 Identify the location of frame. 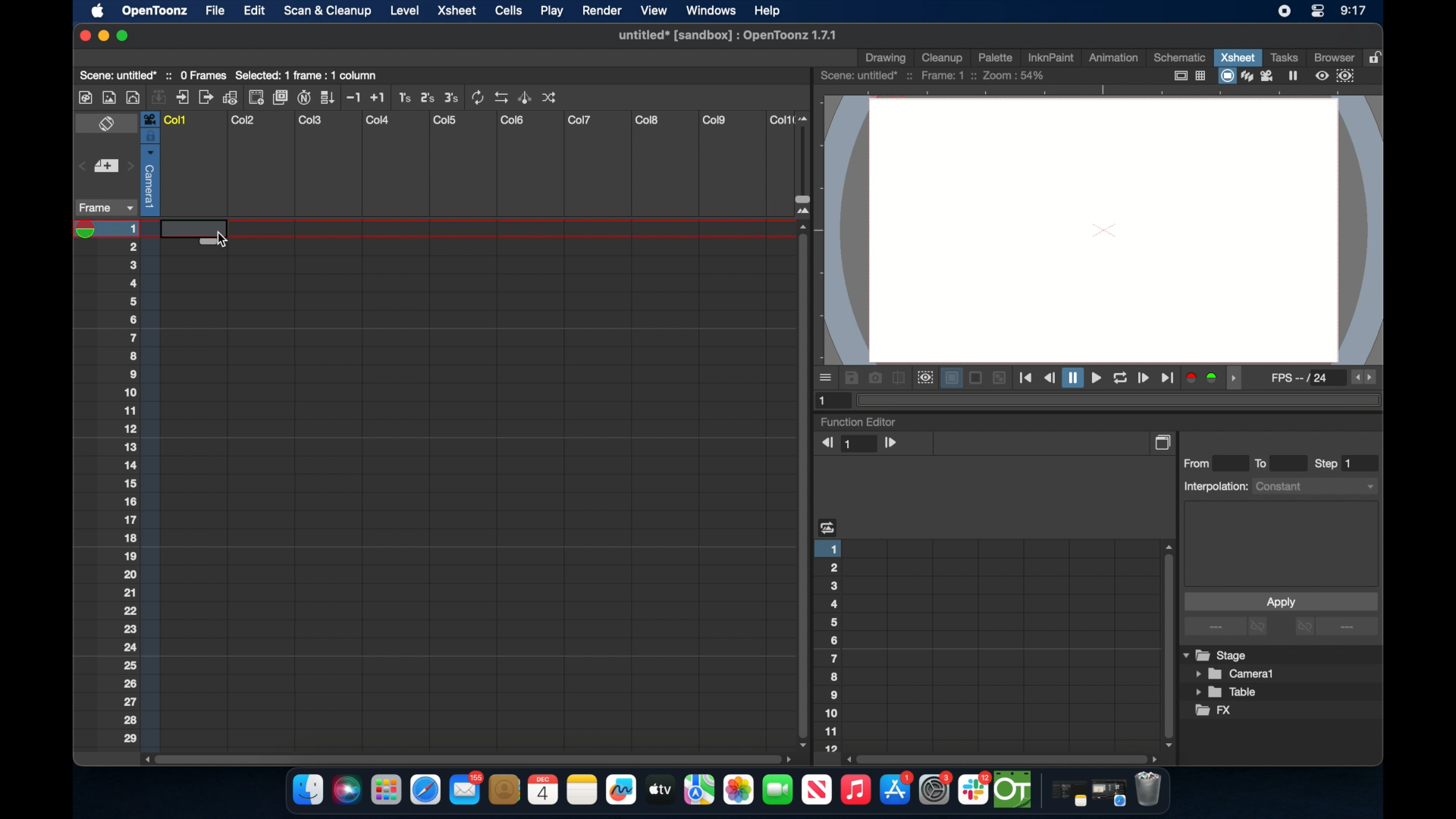
(103, 208).